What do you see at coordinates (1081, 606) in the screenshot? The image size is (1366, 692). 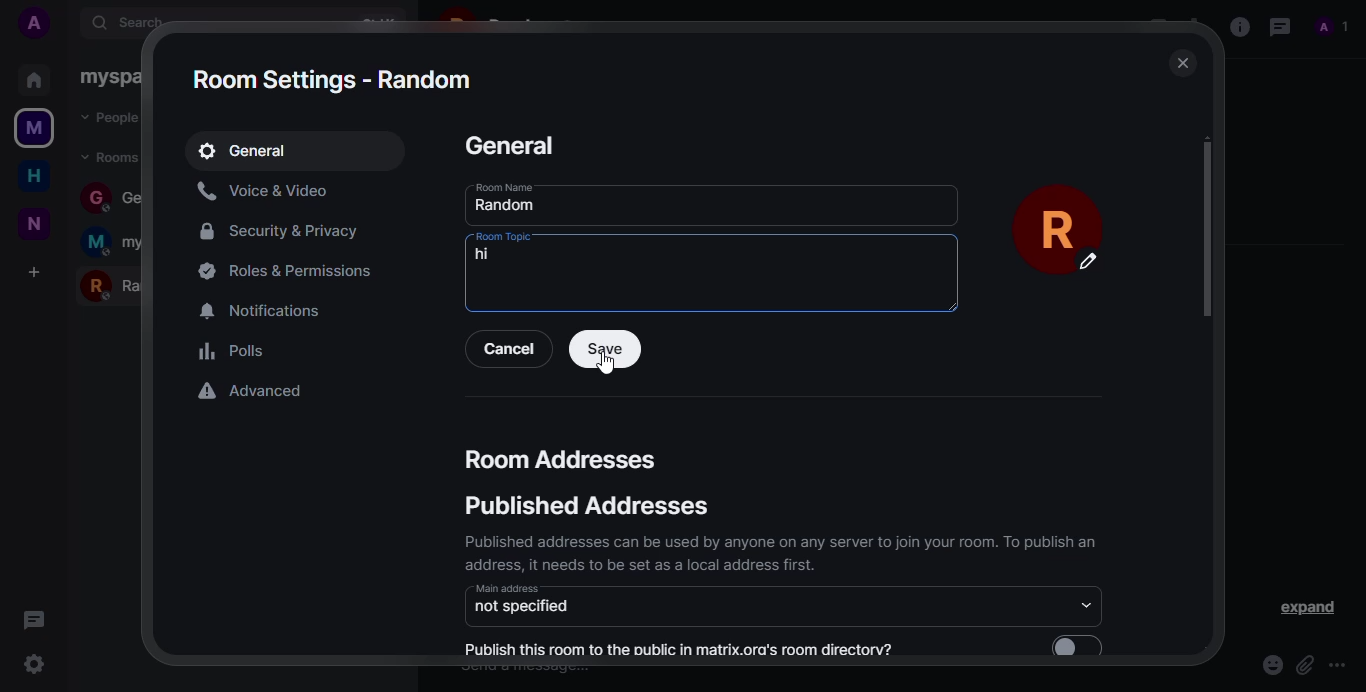 I see `drop down` at bounding box center [1081, 606].